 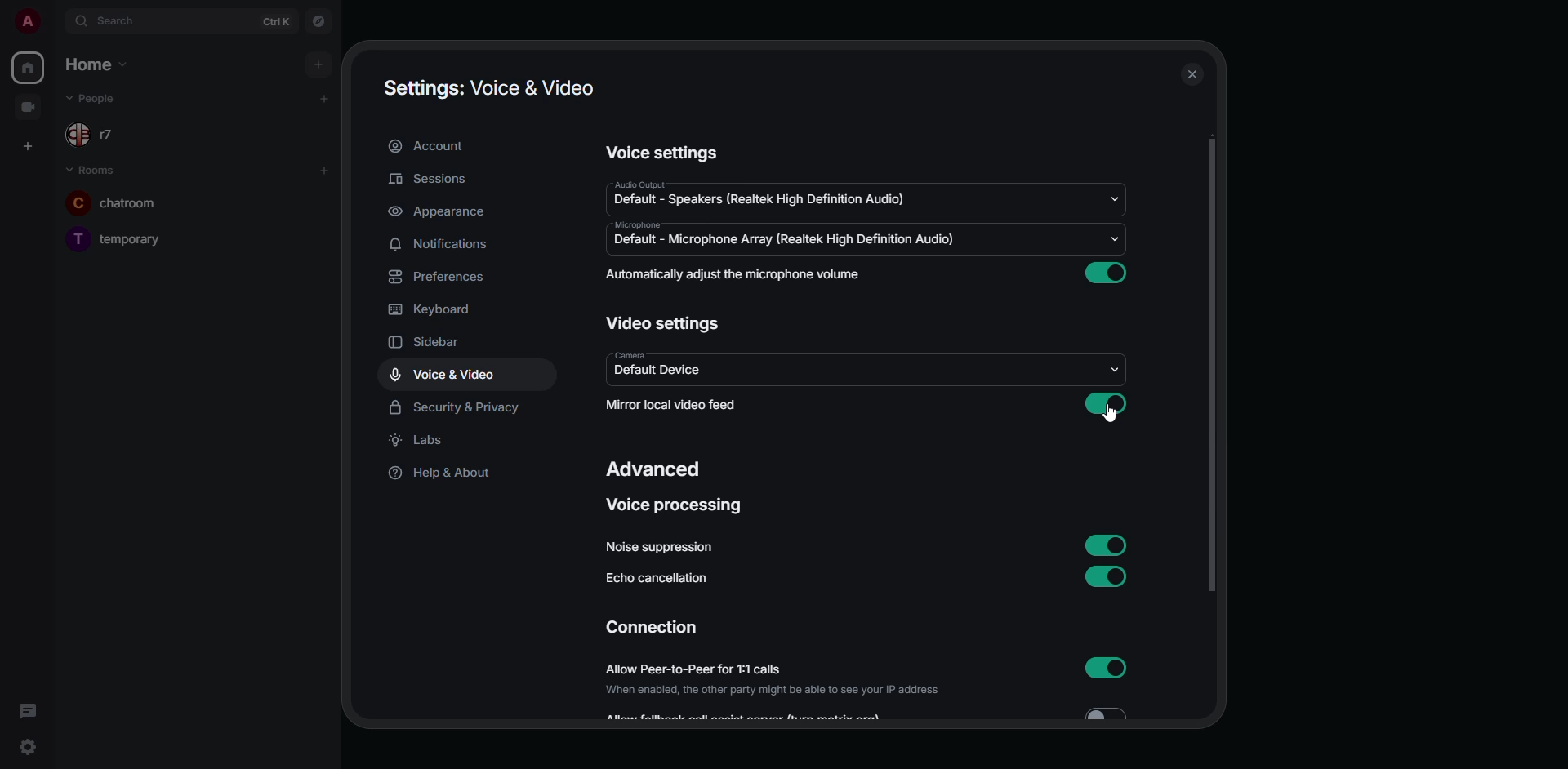 What do you see at coordinates (659, 578) in the screenshot?
I see `echo cancellation` at bounding box center [659, 578].